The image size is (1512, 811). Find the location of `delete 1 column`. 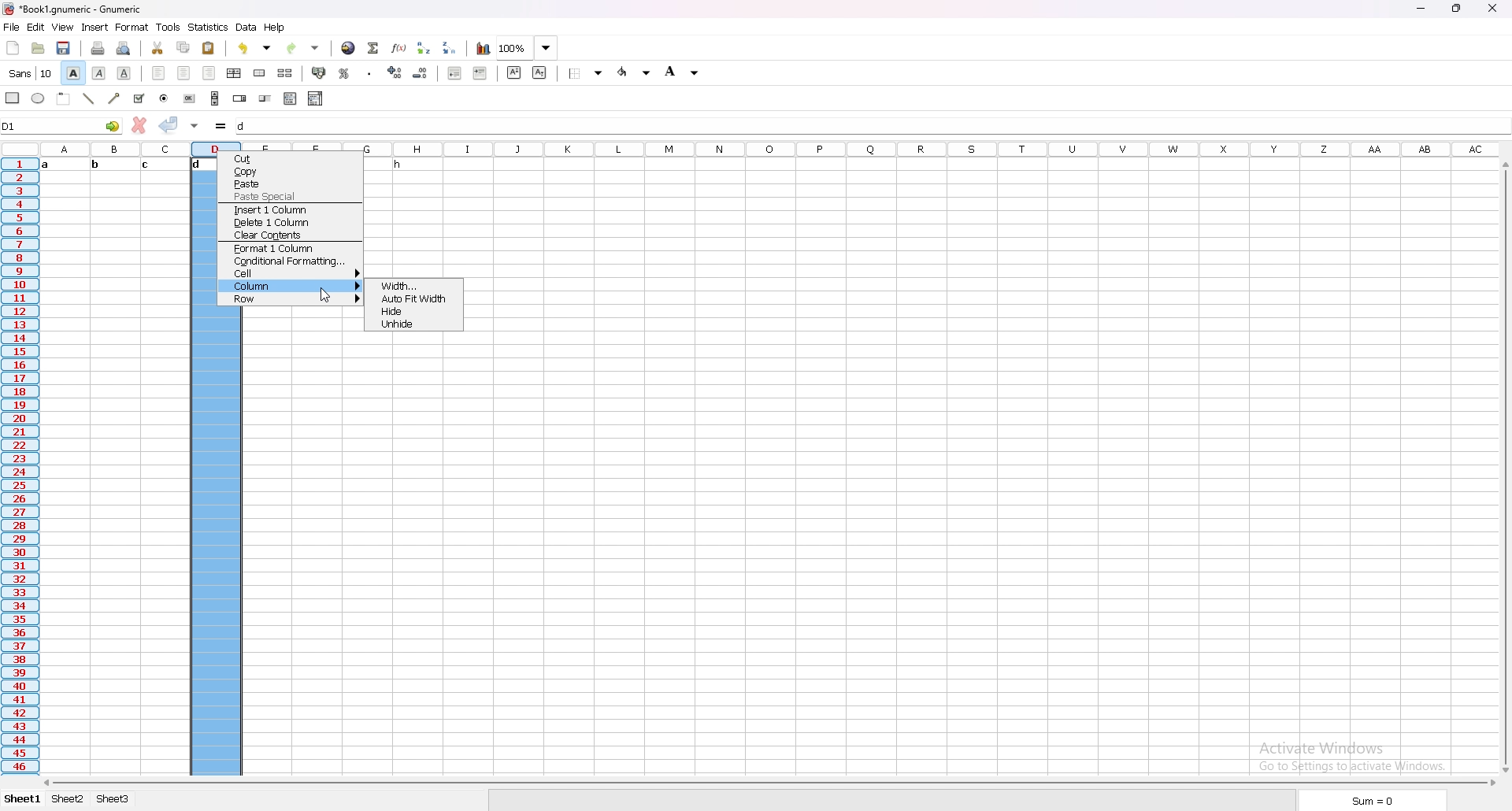

delete 1 column is located at coordinates (291, 222).